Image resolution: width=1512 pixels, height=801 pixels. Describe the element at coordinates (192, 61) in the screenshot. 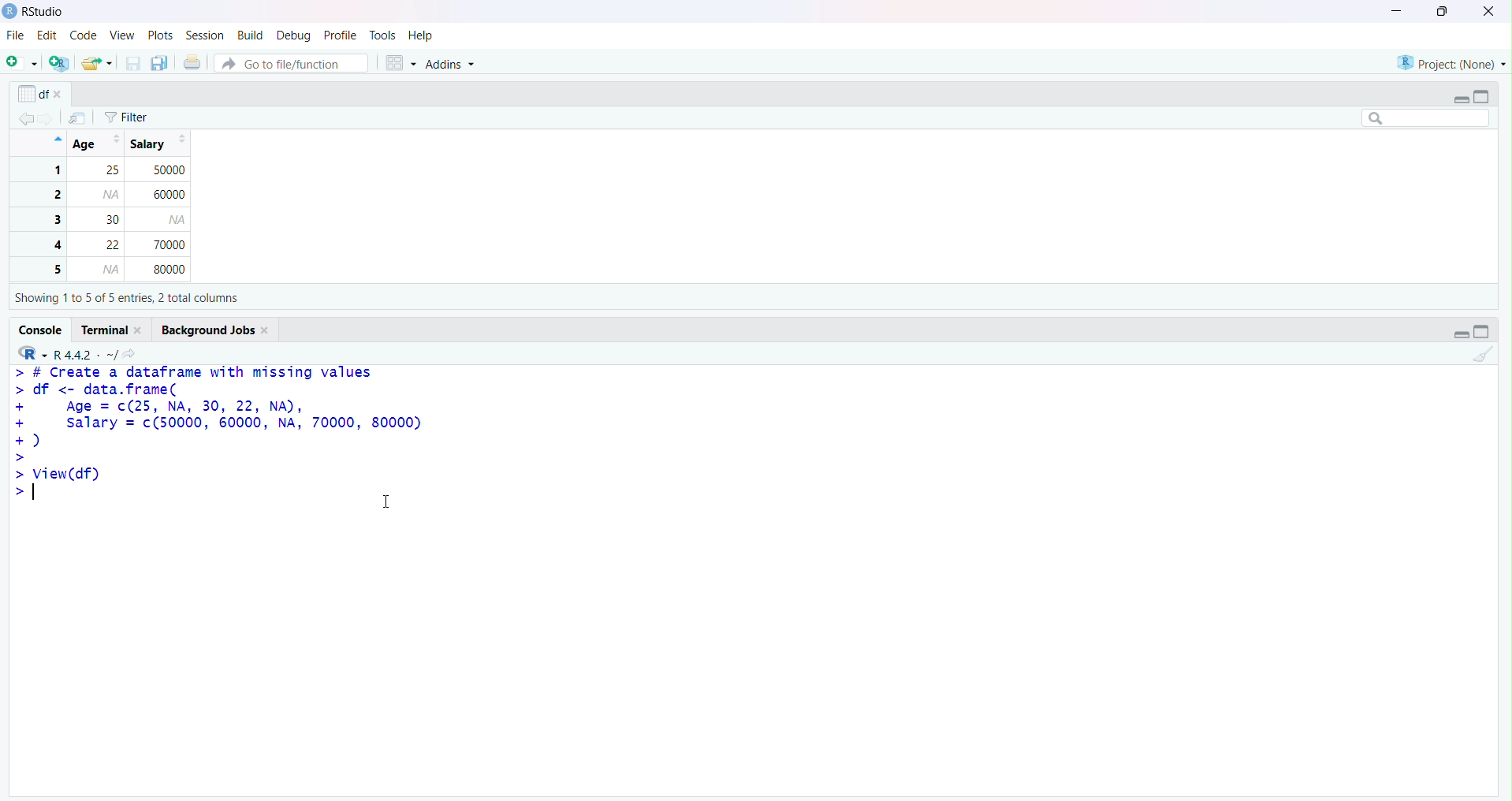

I see `Print the current file` at that location.